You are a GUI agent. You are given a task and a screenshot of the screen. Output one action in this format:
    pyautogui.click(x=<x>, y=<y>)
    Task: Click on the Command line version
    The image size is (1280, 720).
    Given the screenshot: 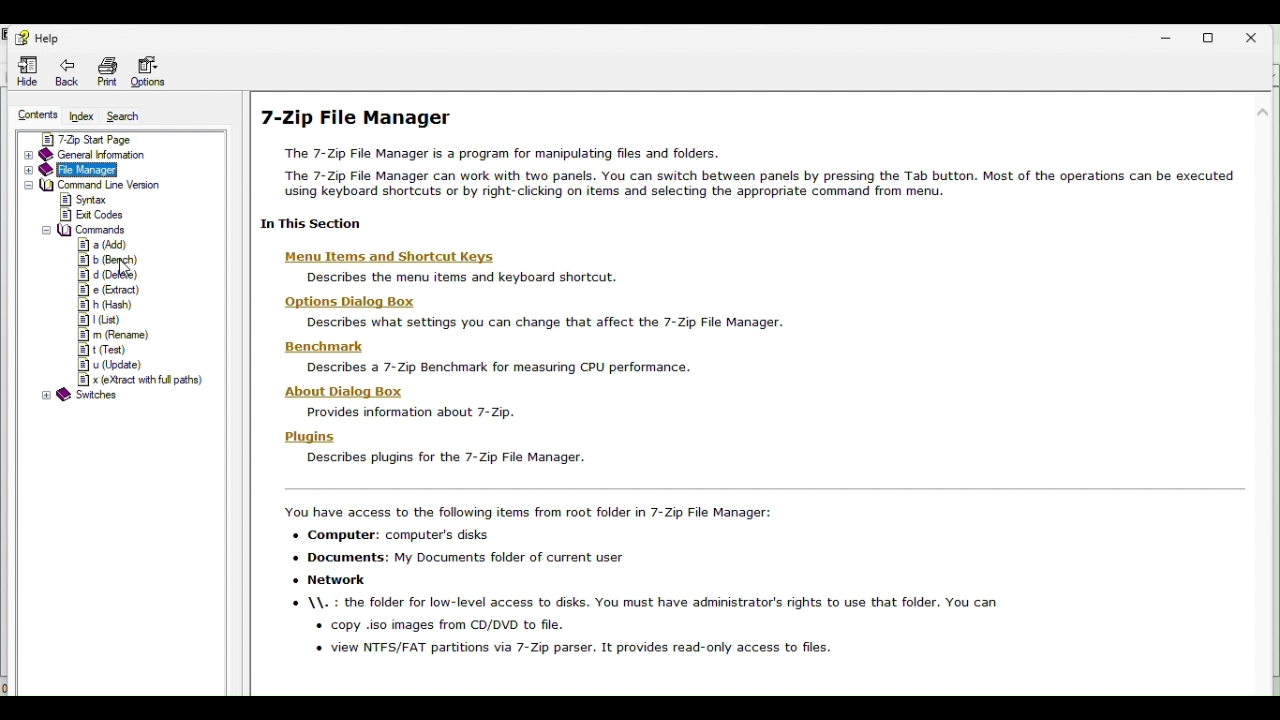 What is the action you would take?
    pyautogui.click(x=97, y=182)
    